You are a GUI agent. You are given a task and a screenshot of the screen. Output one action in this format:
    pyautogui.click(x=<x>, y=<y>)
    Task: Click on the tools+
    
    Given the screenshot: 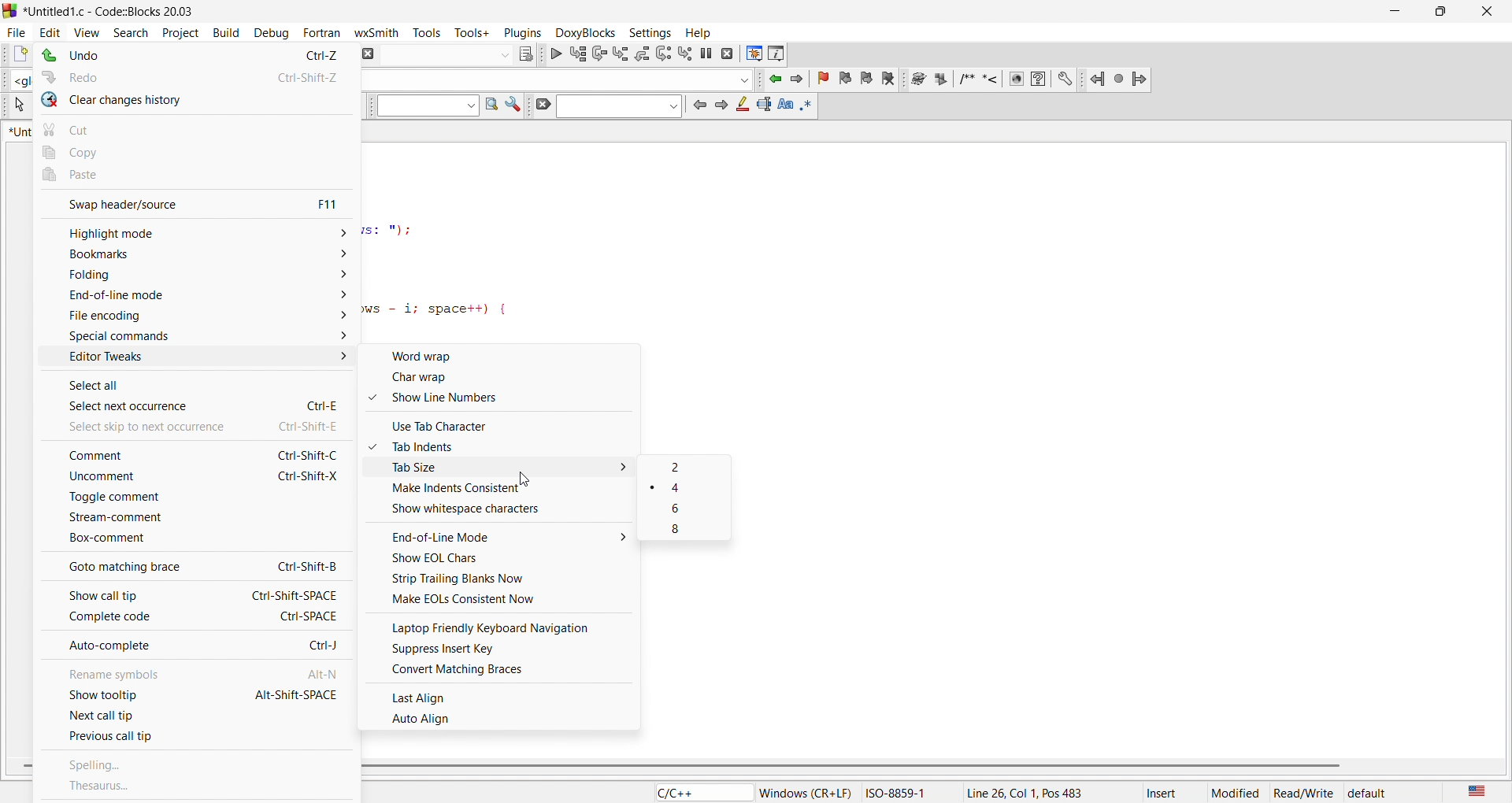 What is the action you would take?
    pyautogui.click(x=475, y=35)
    